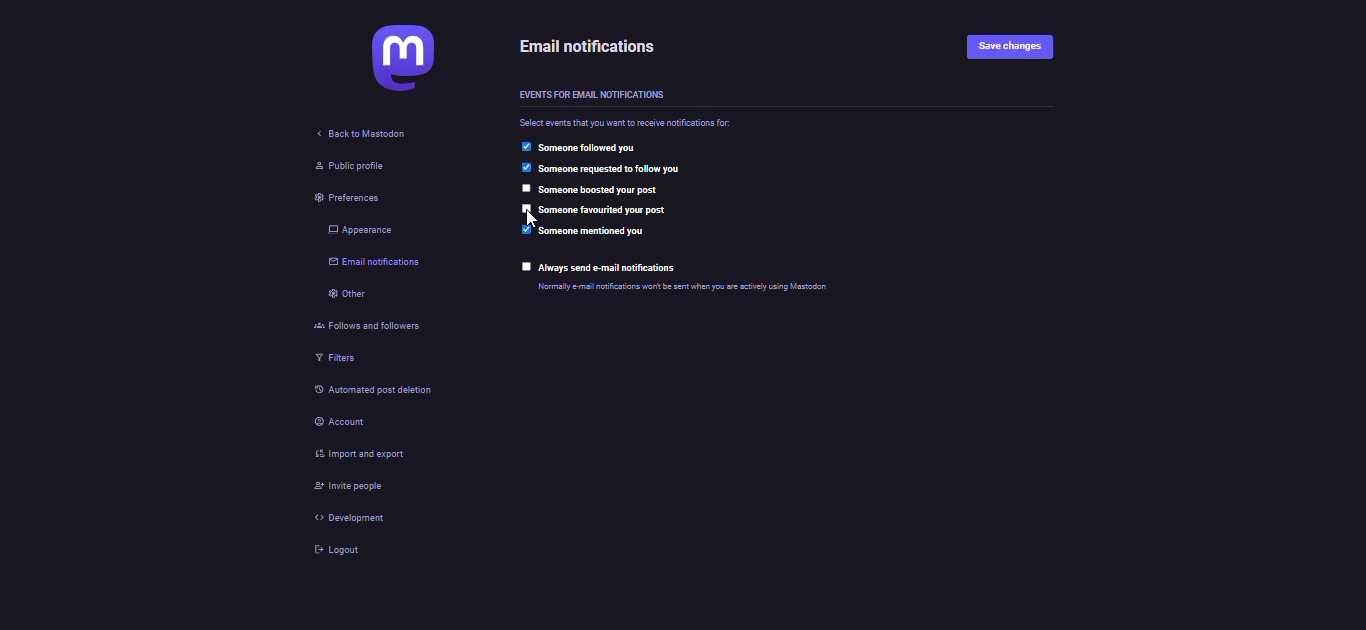 The image size is (1366, 630). What do you see at coordinates (592, 232) in the screenshot?
I see `someone mentioned you` at bounding box center [592, 232].